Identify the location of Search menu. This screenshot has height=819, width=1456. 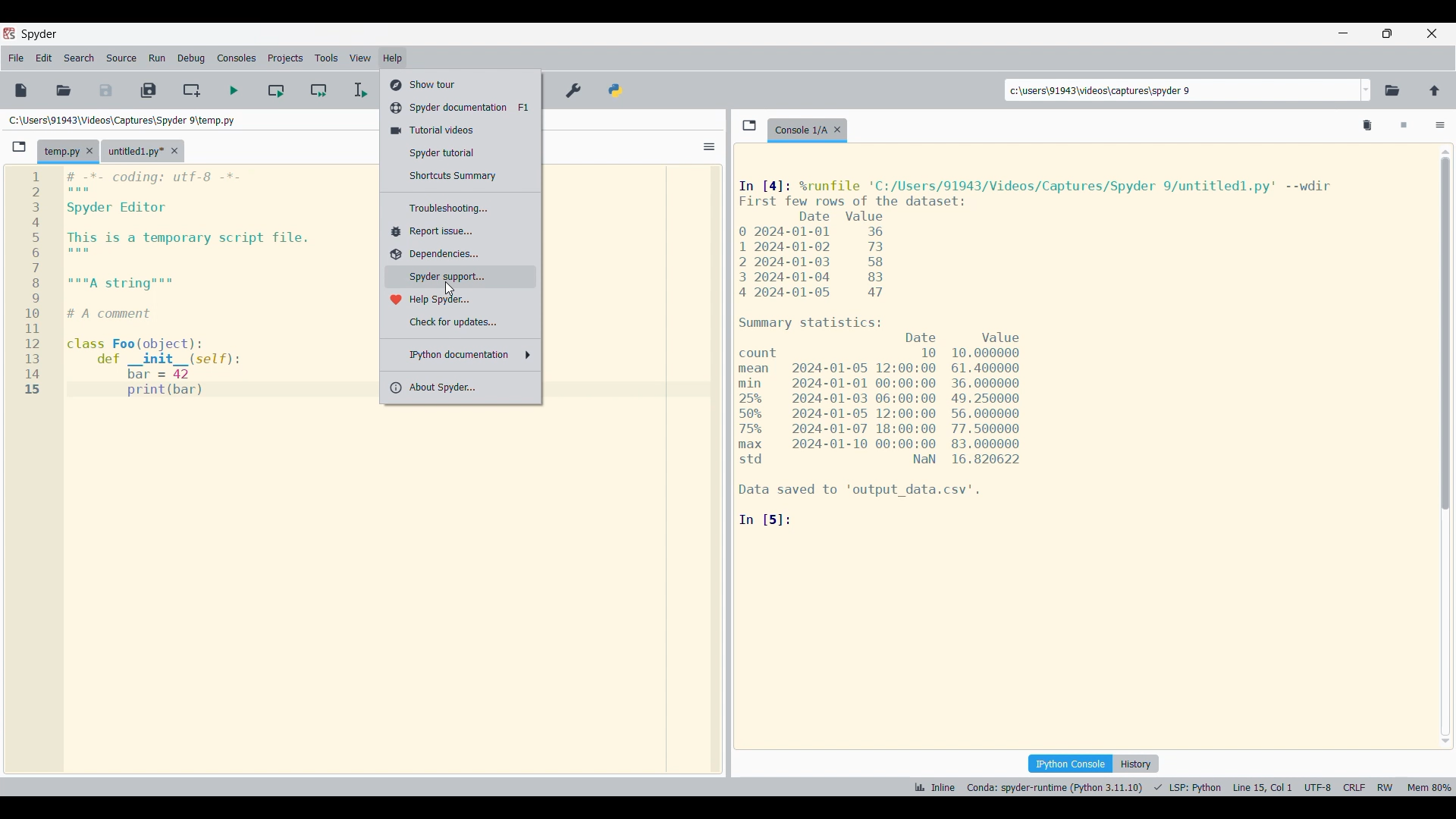
(79, 58).